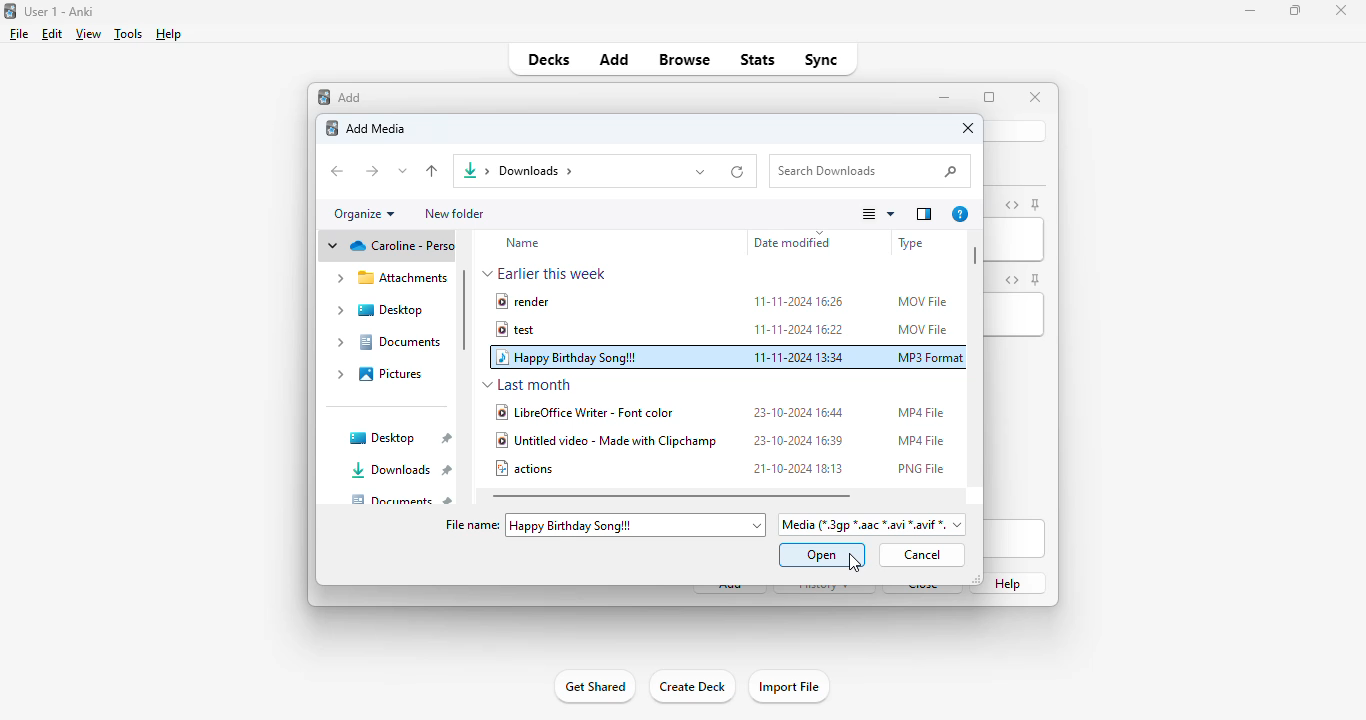 This screenshot has height=720, width=1366. Describe the element at coordinates (921, 412) in the screenshot. I see `MP4 file` at that location.